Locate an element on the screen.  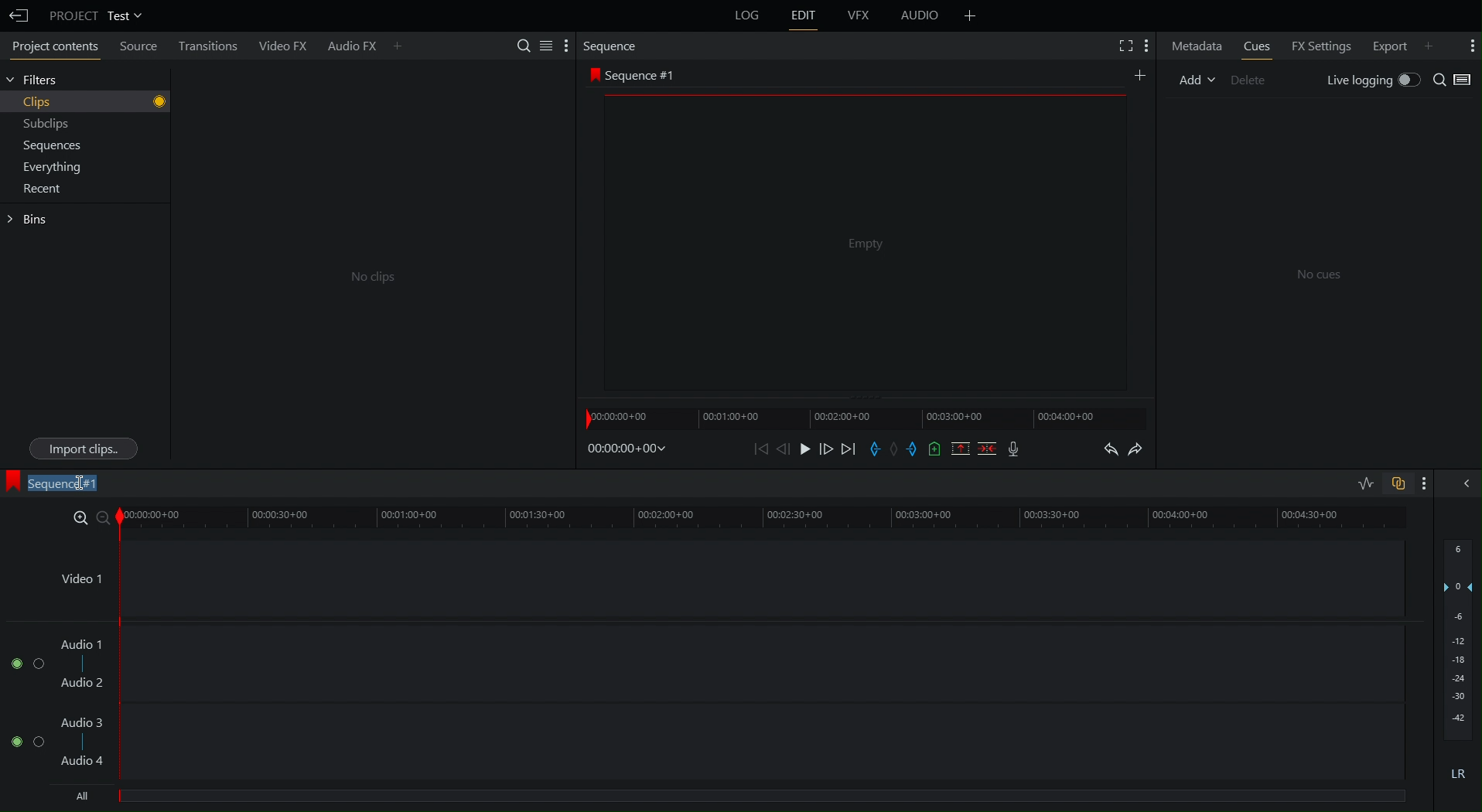
Project contents is located at coordinates (49, 45).